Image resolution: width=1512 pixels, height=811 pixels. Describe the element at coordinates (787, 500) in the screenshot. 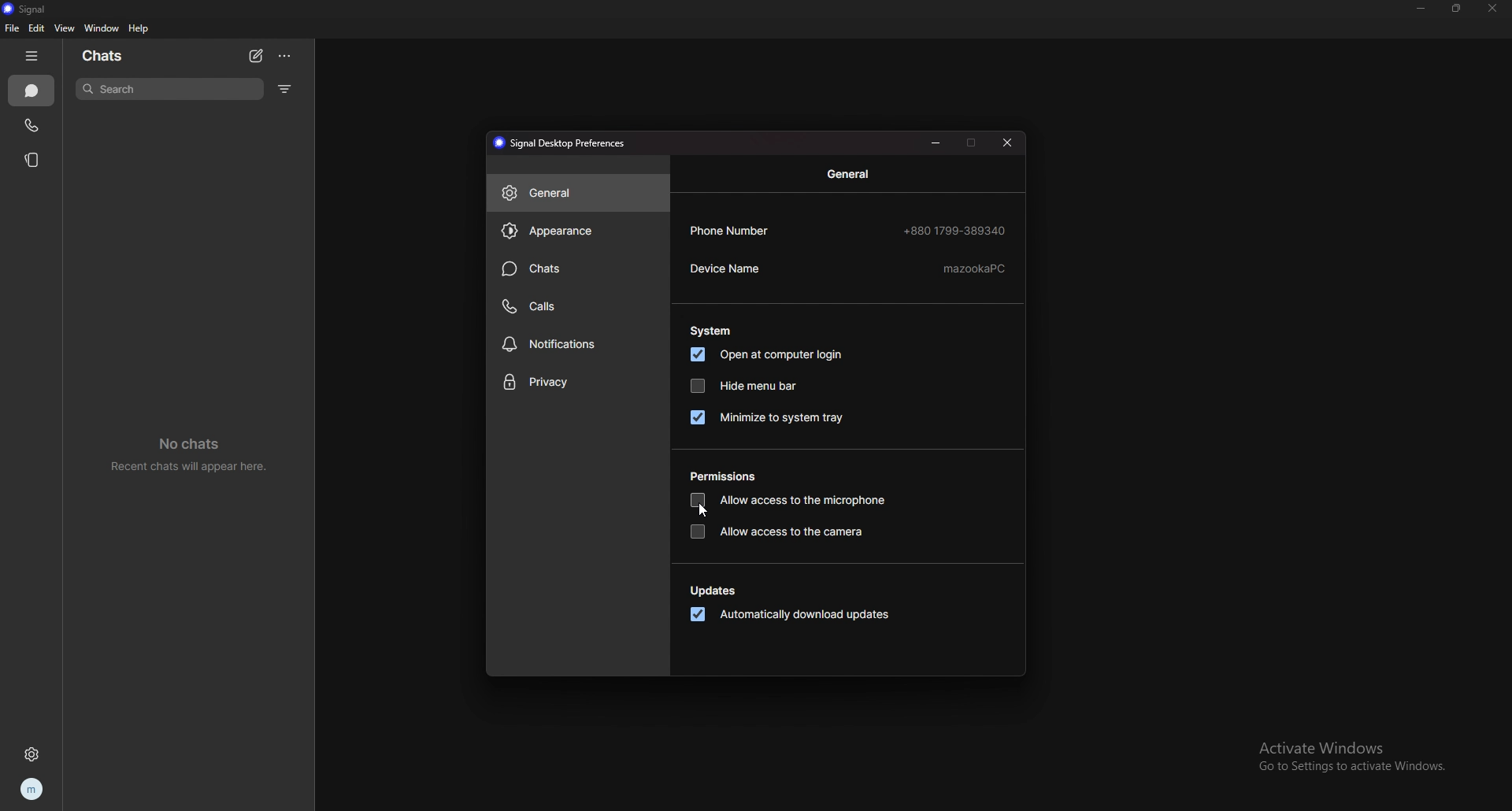

I see `allow access to microphone` at that location.